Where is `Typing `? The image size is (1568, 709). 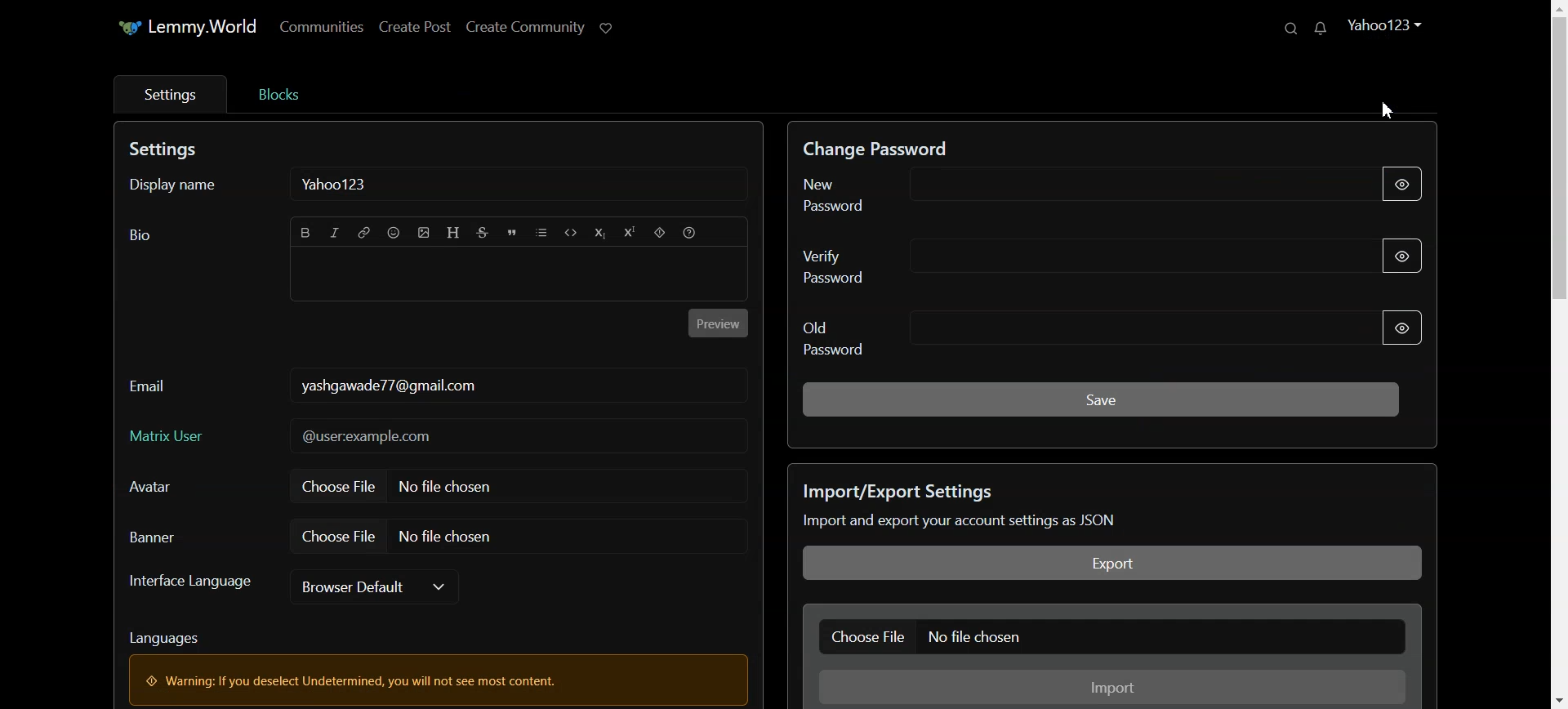 Typing  is located at coordinates (519, 436).